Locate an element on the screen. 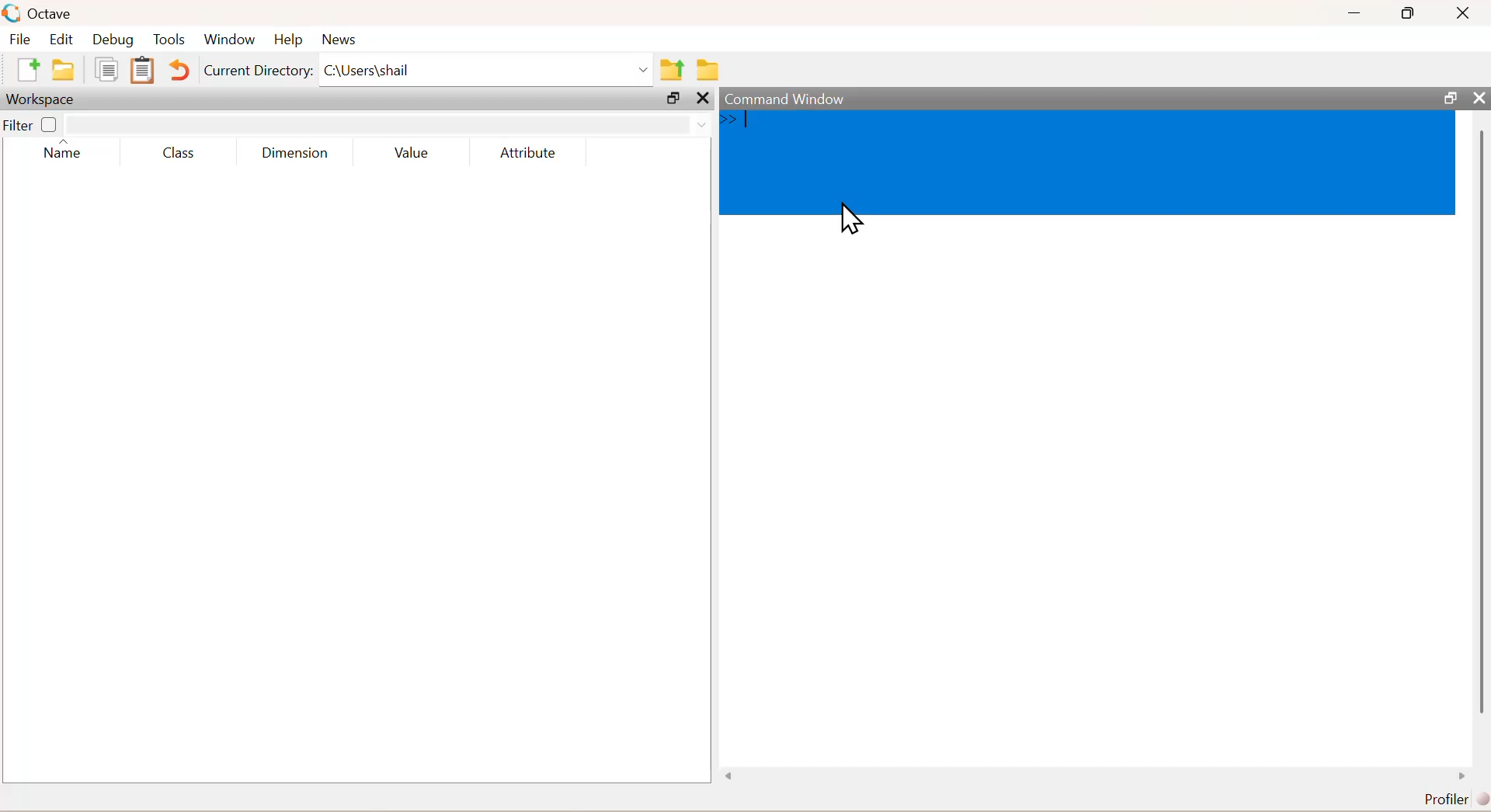 This screenshot has height=812, width=1491. Value is located at coordinates (412, 152).